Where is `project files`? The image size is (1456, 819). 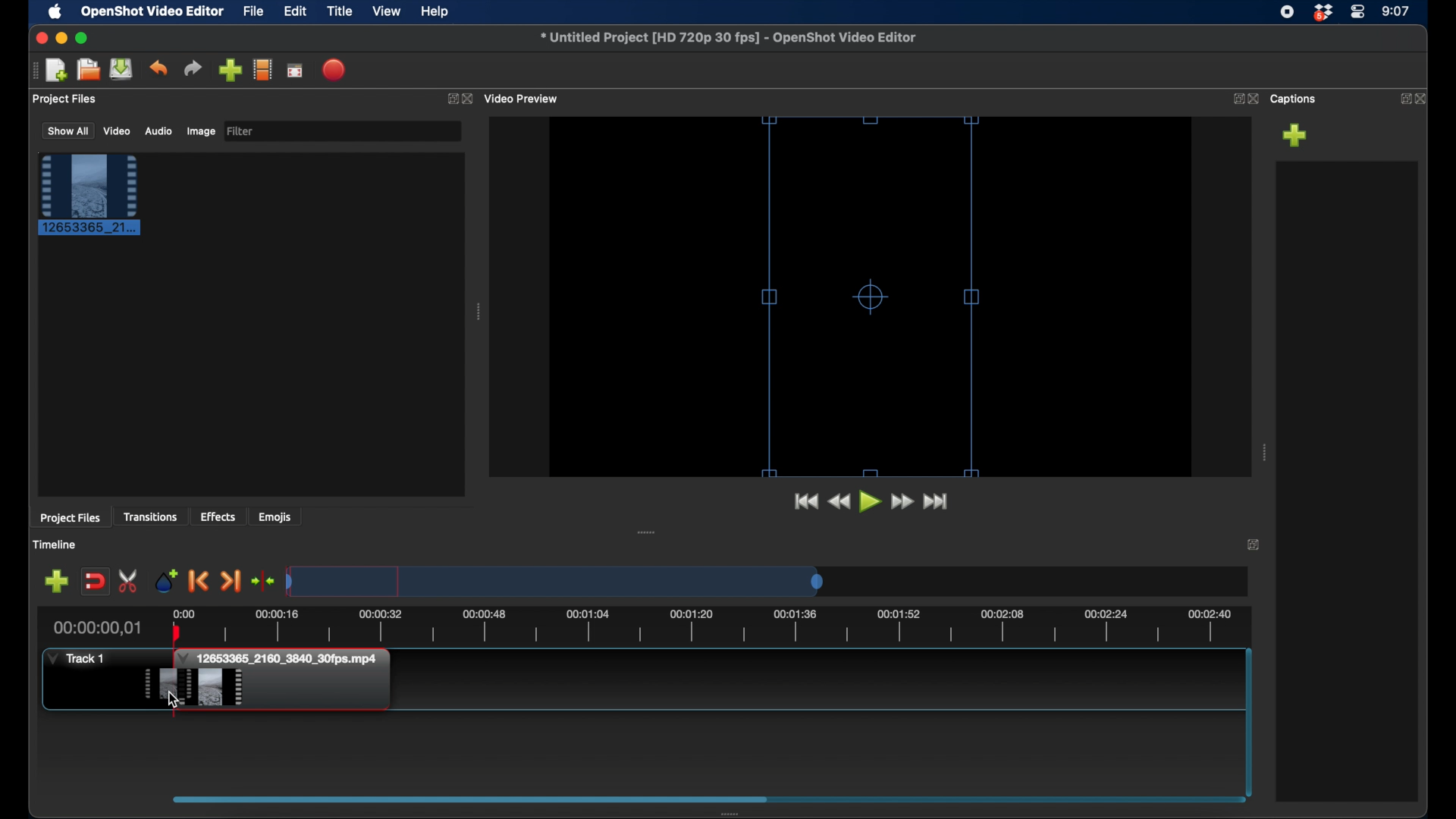 project files is located at coordinates (72, 519).